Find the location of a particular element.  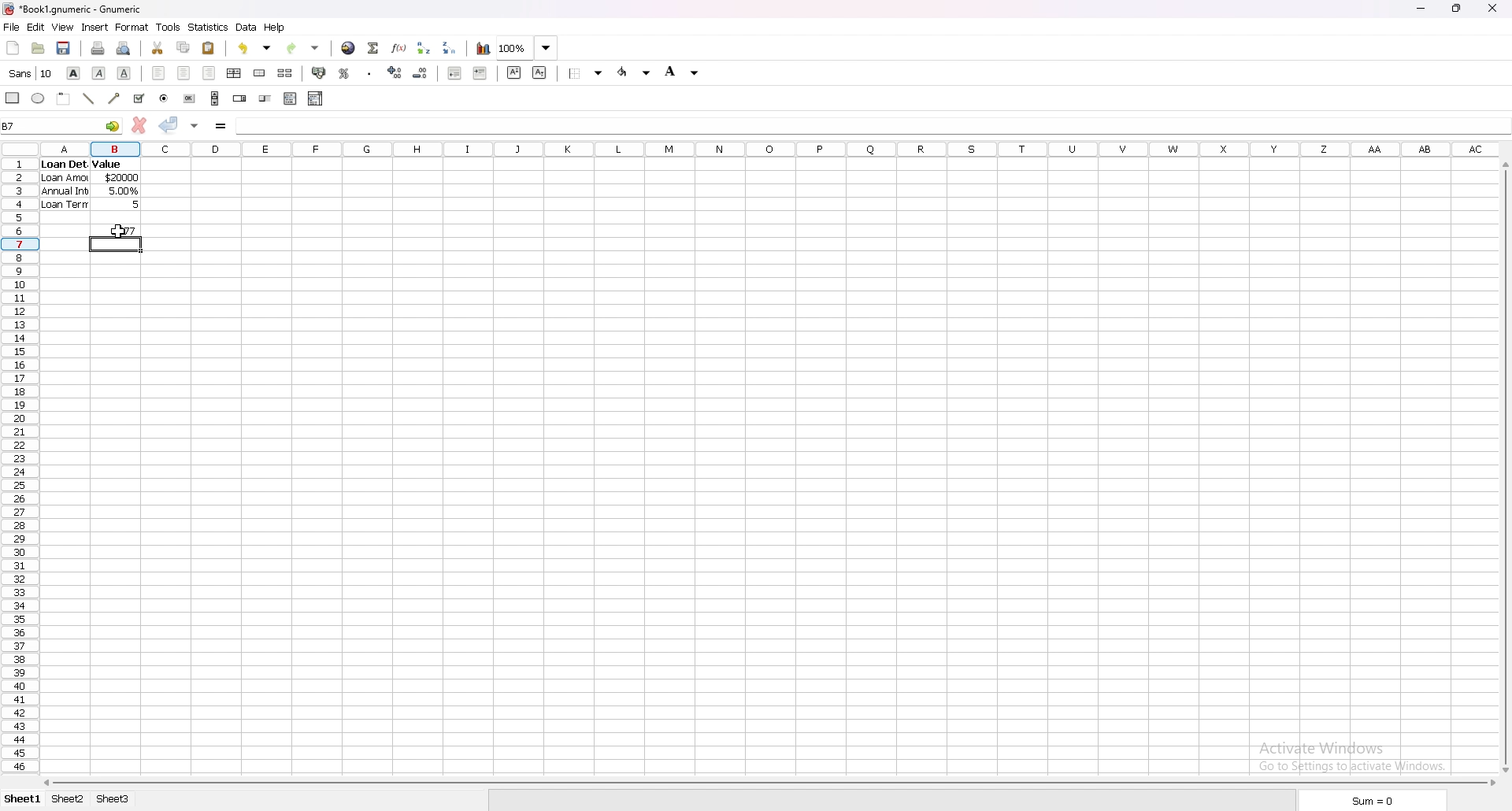

data is located at coordinates (247, 28).